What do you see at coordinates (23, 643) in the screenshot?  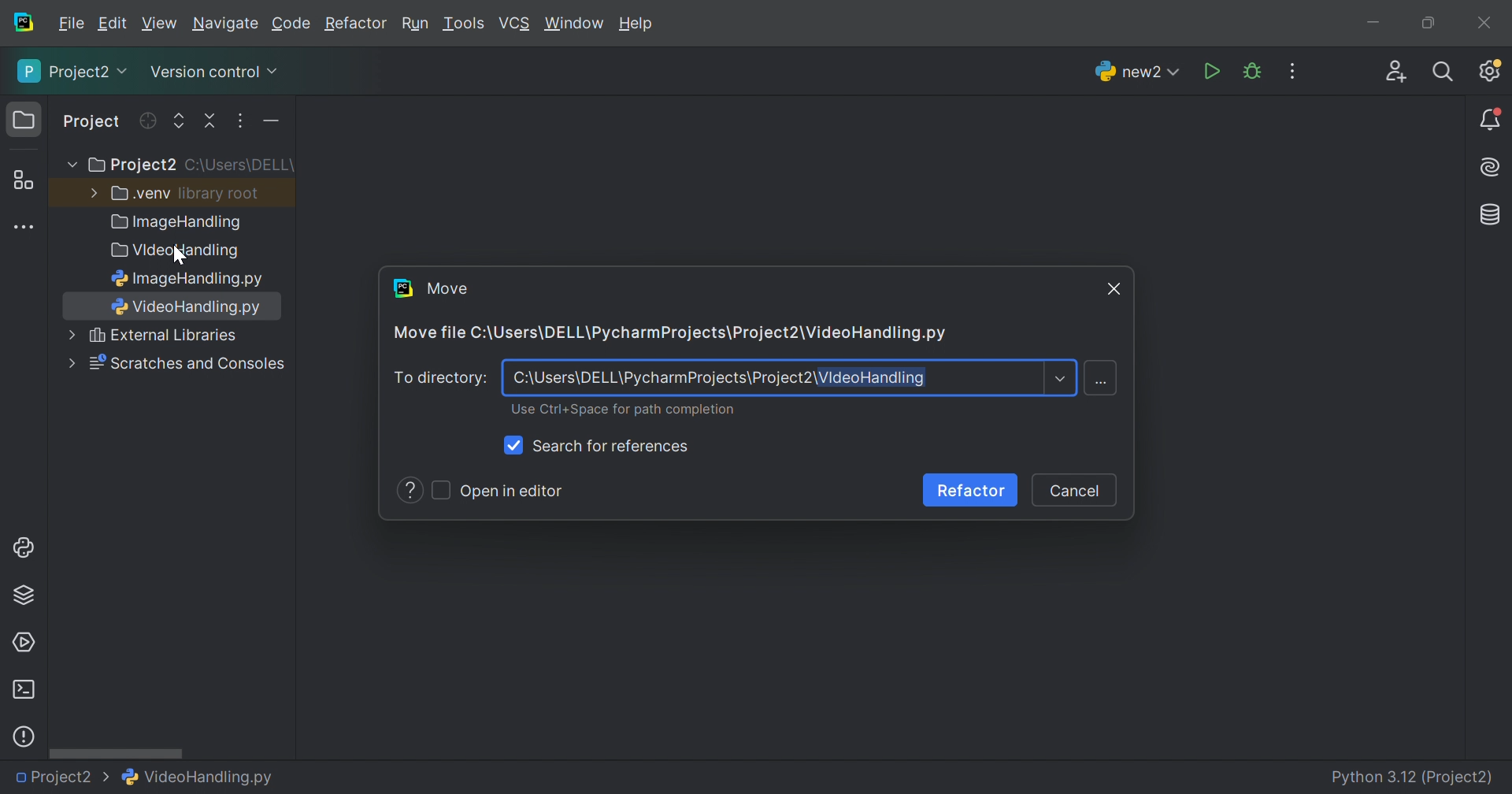 I see `Services` at bounding box center [23, 643].